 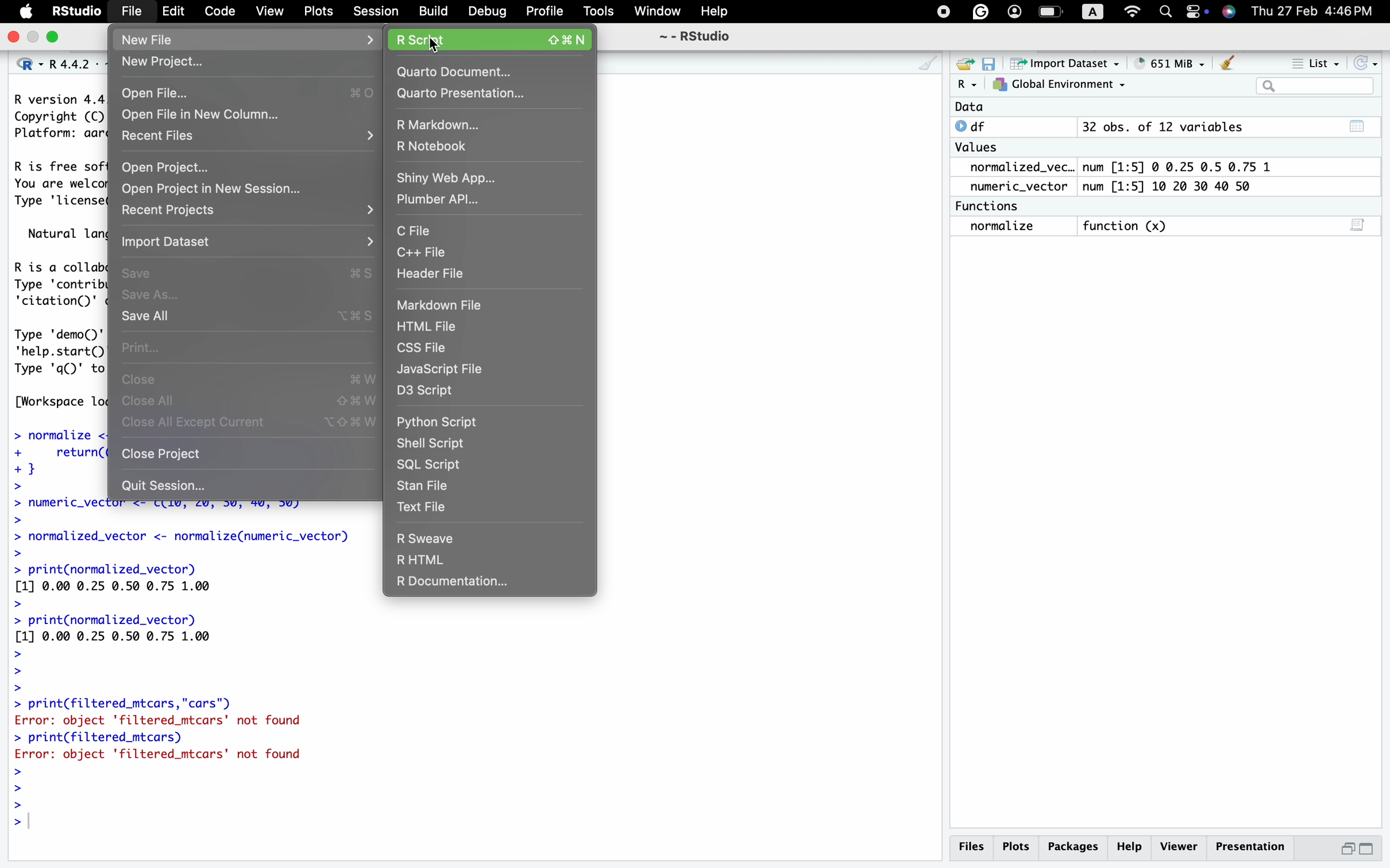 What do you see at coordinates (1313, 12) in the screenshot?
I see `Thu 27 Feb 4:46PM` at bounding box center [1313, 12].